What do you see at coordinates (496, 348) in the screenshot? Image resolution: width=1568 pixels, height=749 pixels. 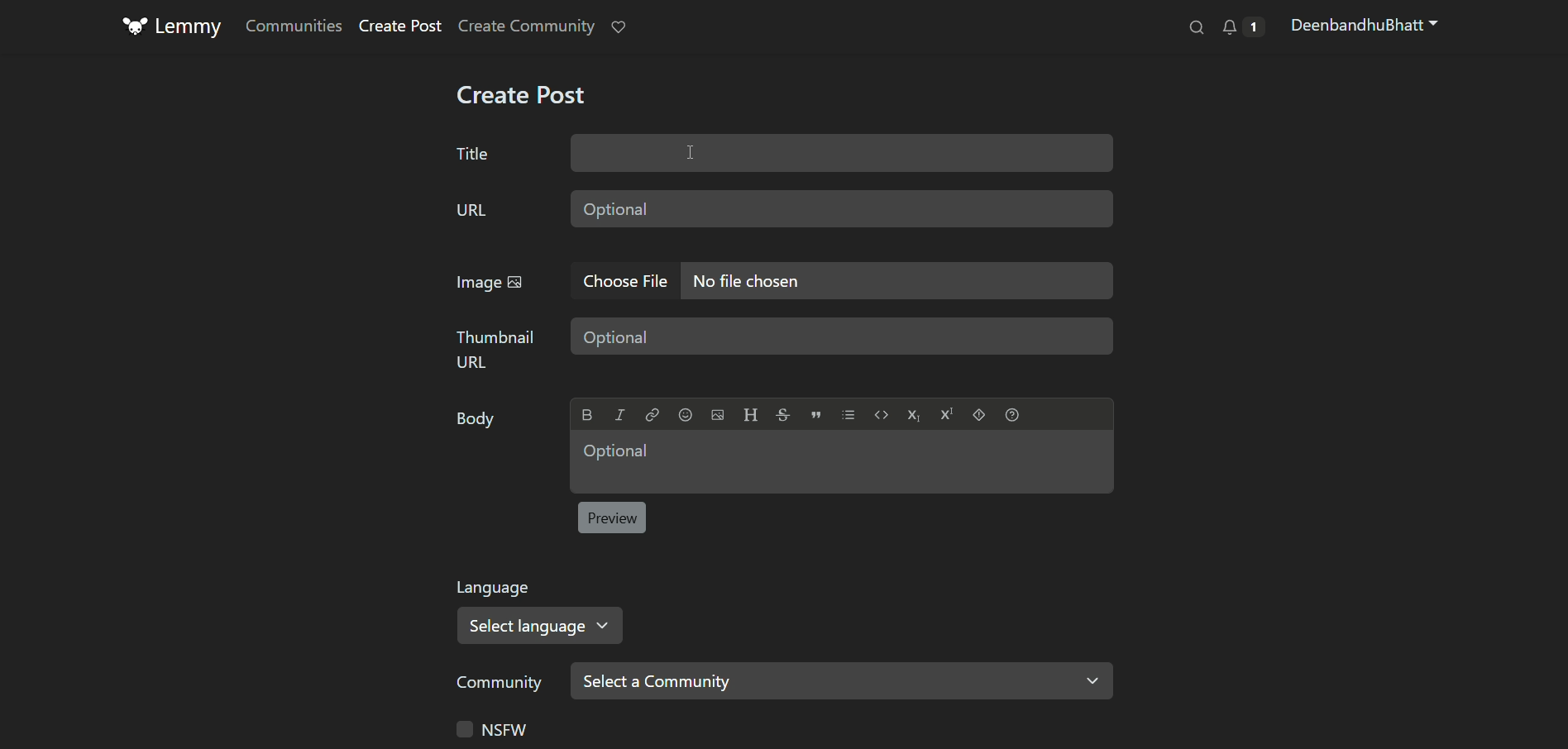 I see `thumbnail URL` at bounding box center [496, 348].